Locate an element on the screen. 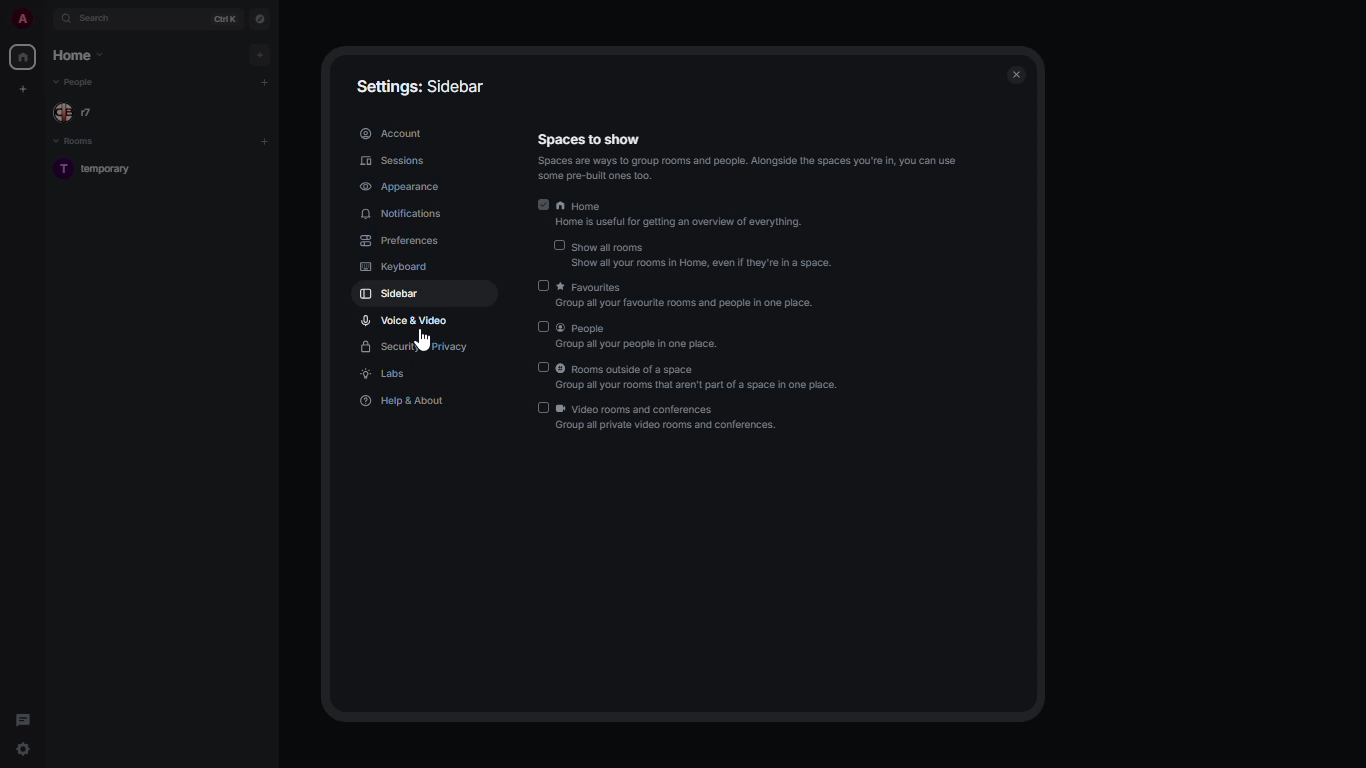 The height and width of the screenshot is (768, 1366). rooms outside of a space is located at coordinates (702, 378).